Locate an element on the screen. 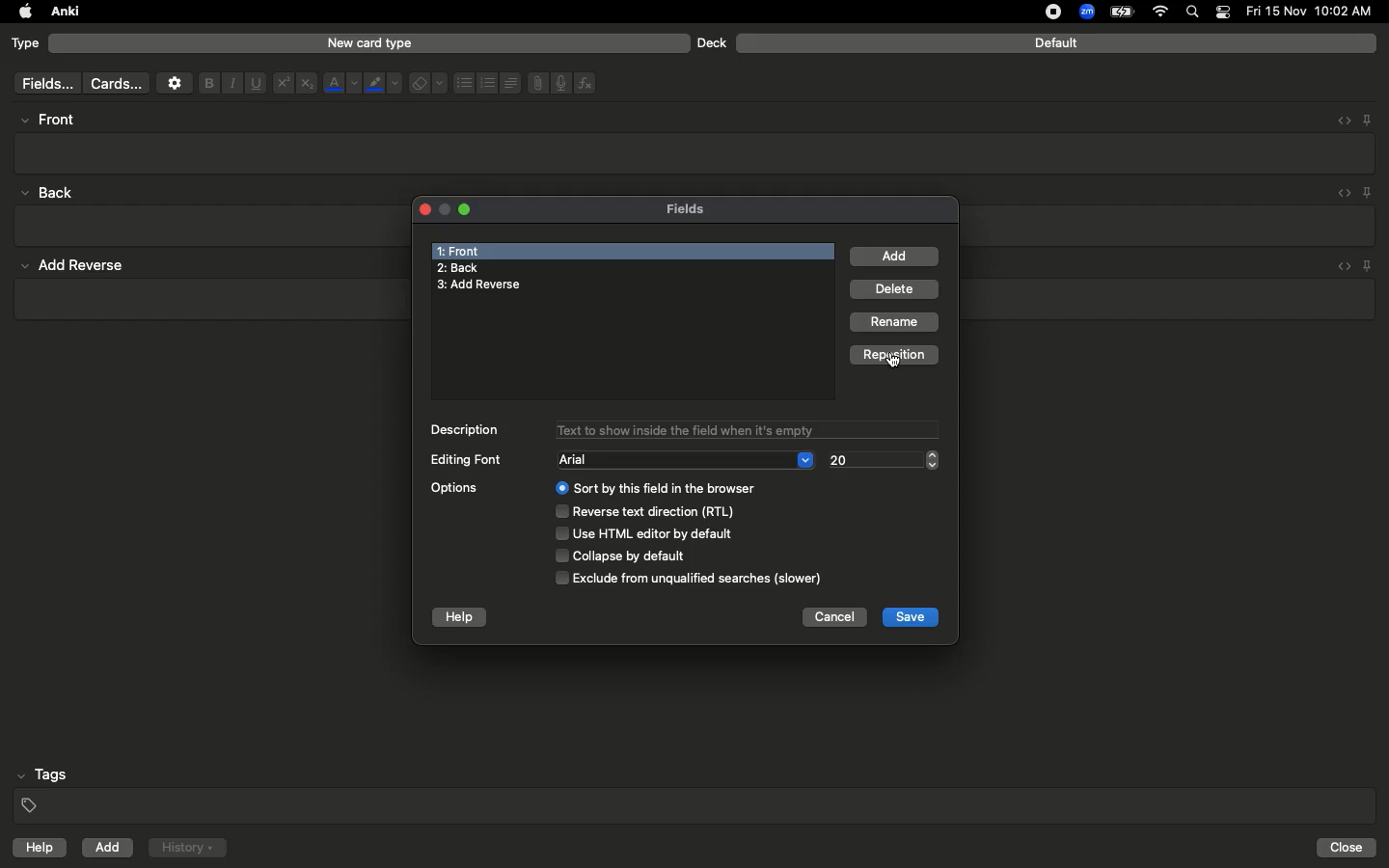  date and time is located at coordinates (1315, 11).